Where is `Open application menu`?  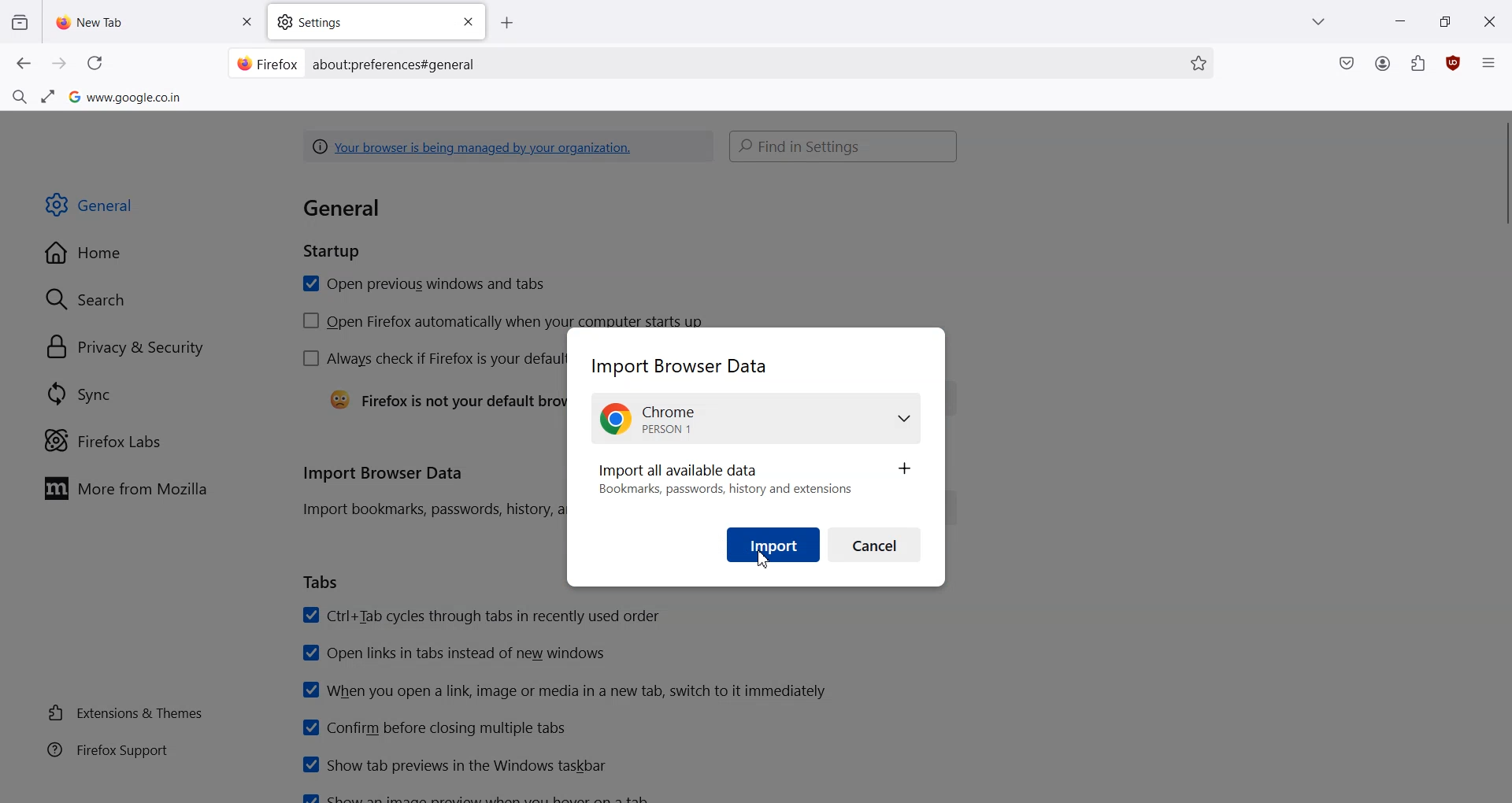 Open application menu is located at coordinates (1488, 61).